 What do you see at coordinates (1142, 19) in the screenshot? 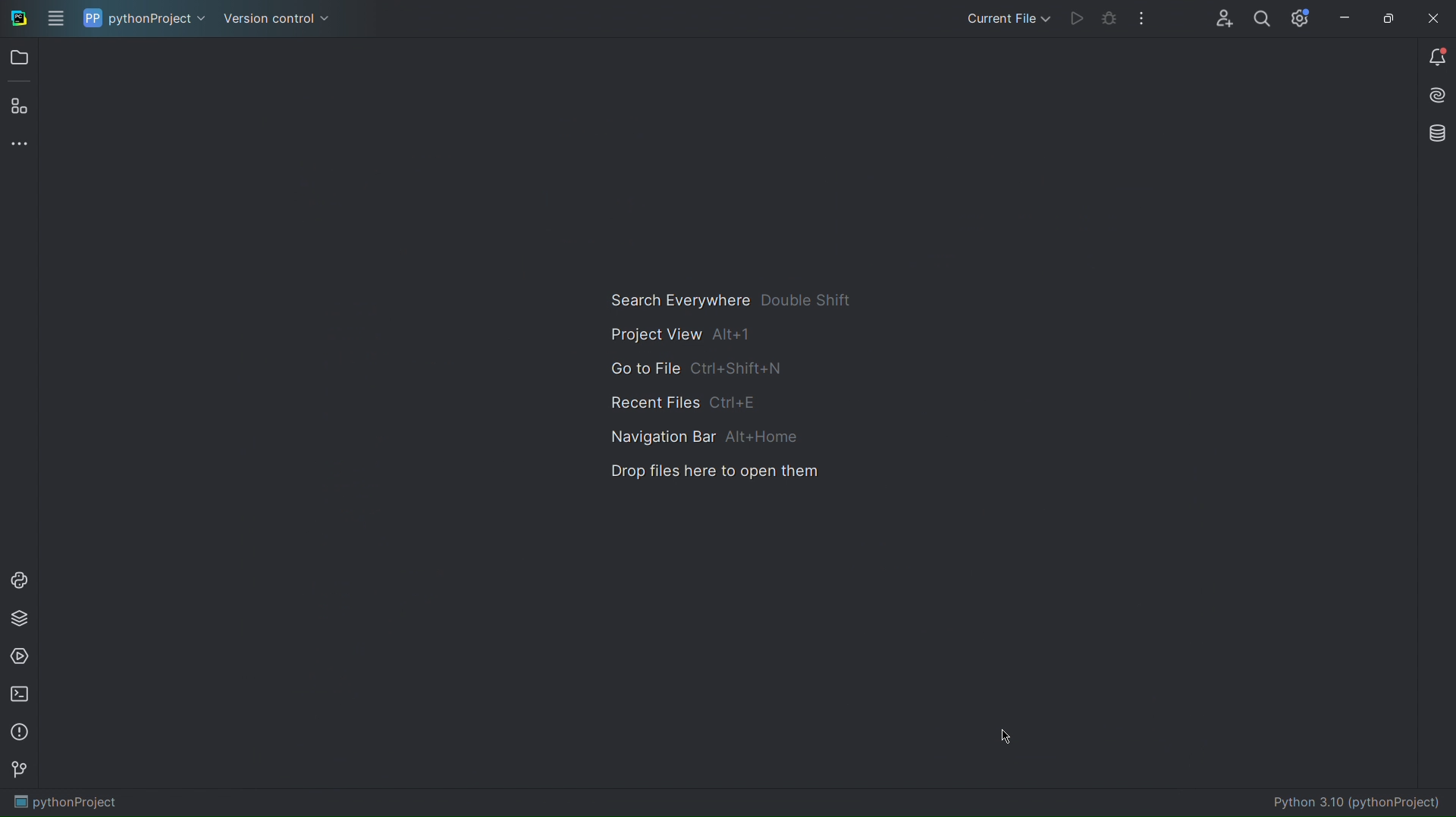
I see `More` at bounding box center [1142, 19].